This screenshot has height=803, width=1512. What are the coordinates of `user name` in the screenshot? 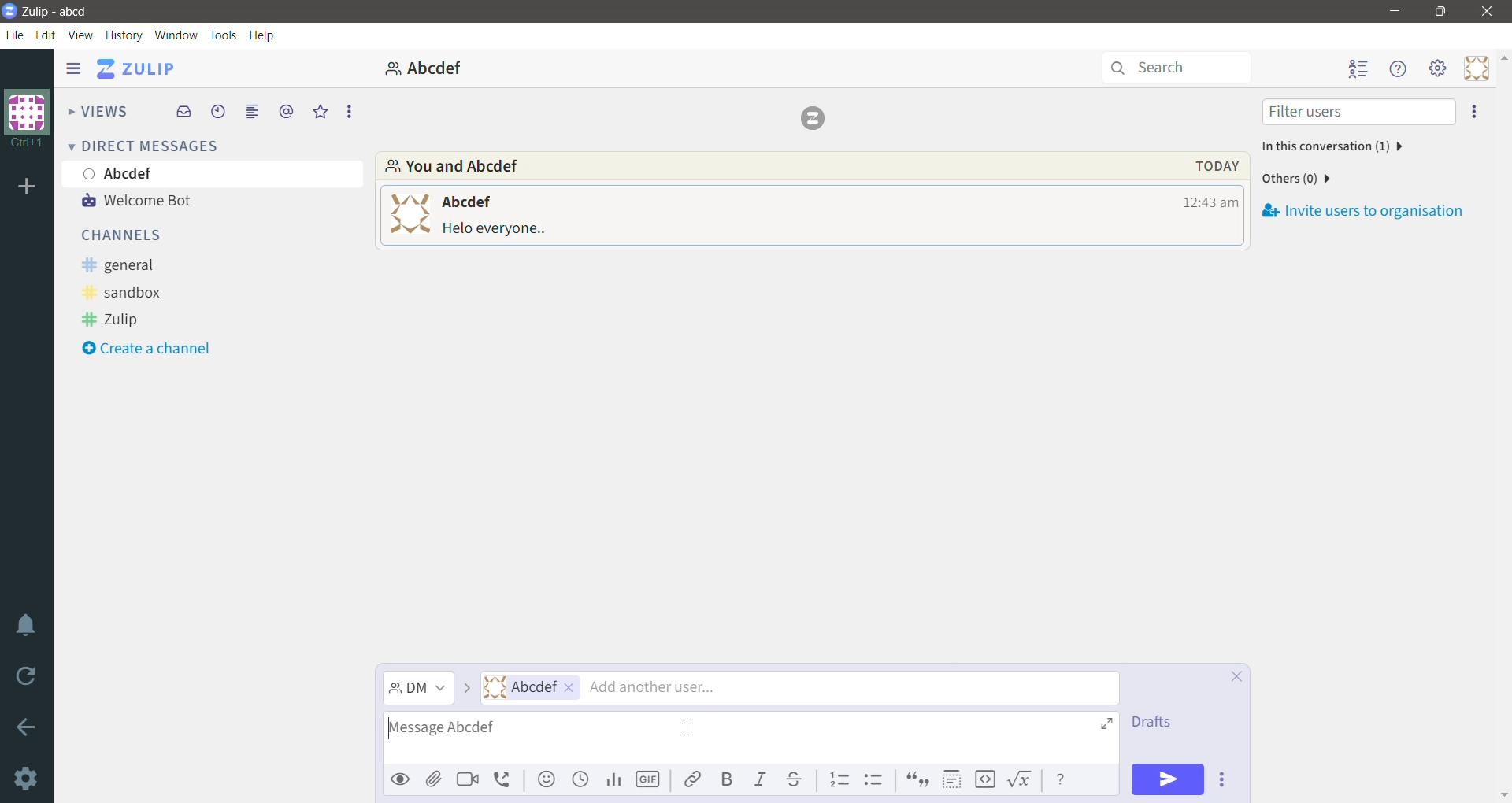 It's located at (466, 201).